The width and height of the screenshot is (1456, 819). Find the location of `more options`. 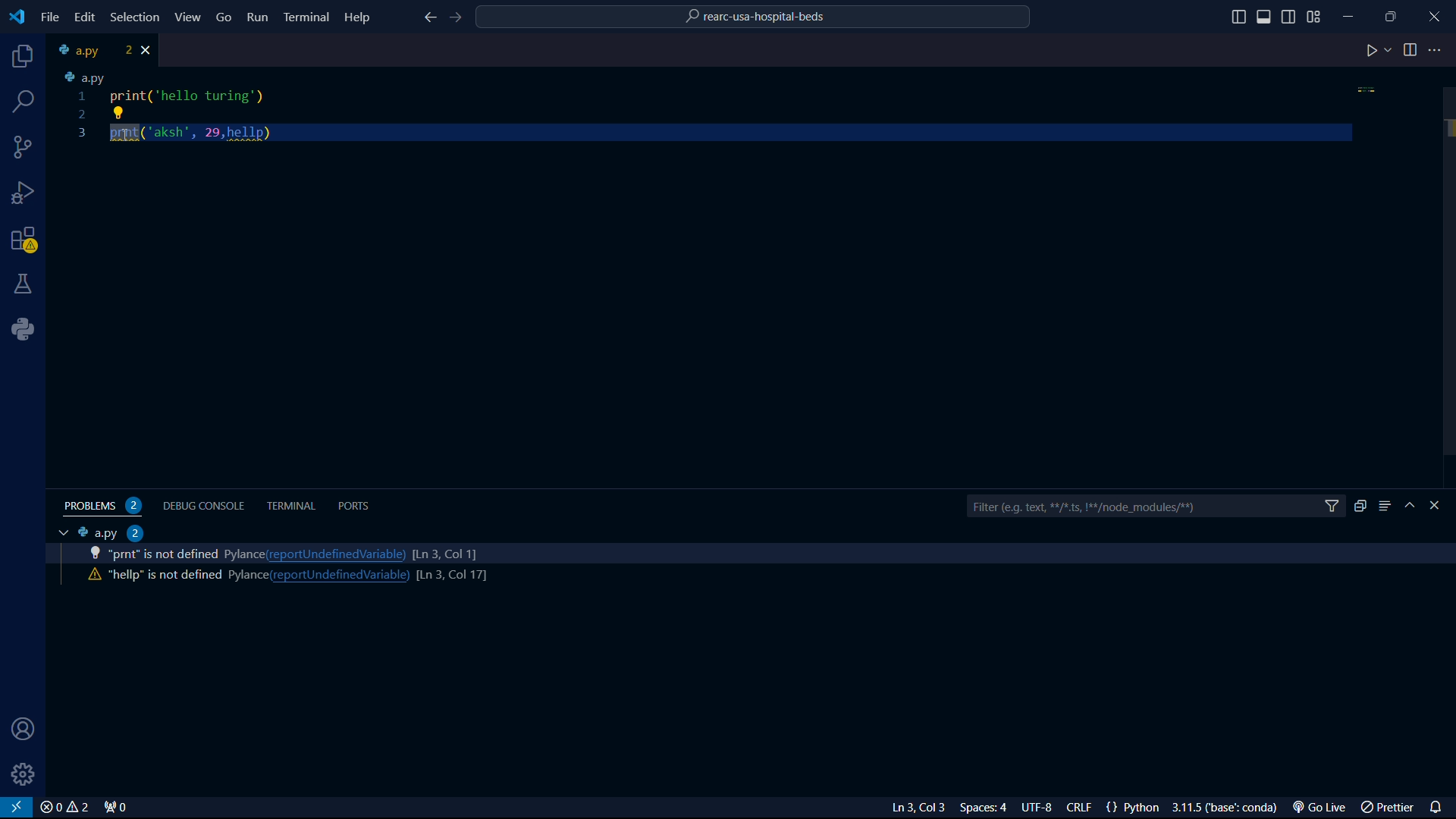

more options is located at coordinates (1437, 50).